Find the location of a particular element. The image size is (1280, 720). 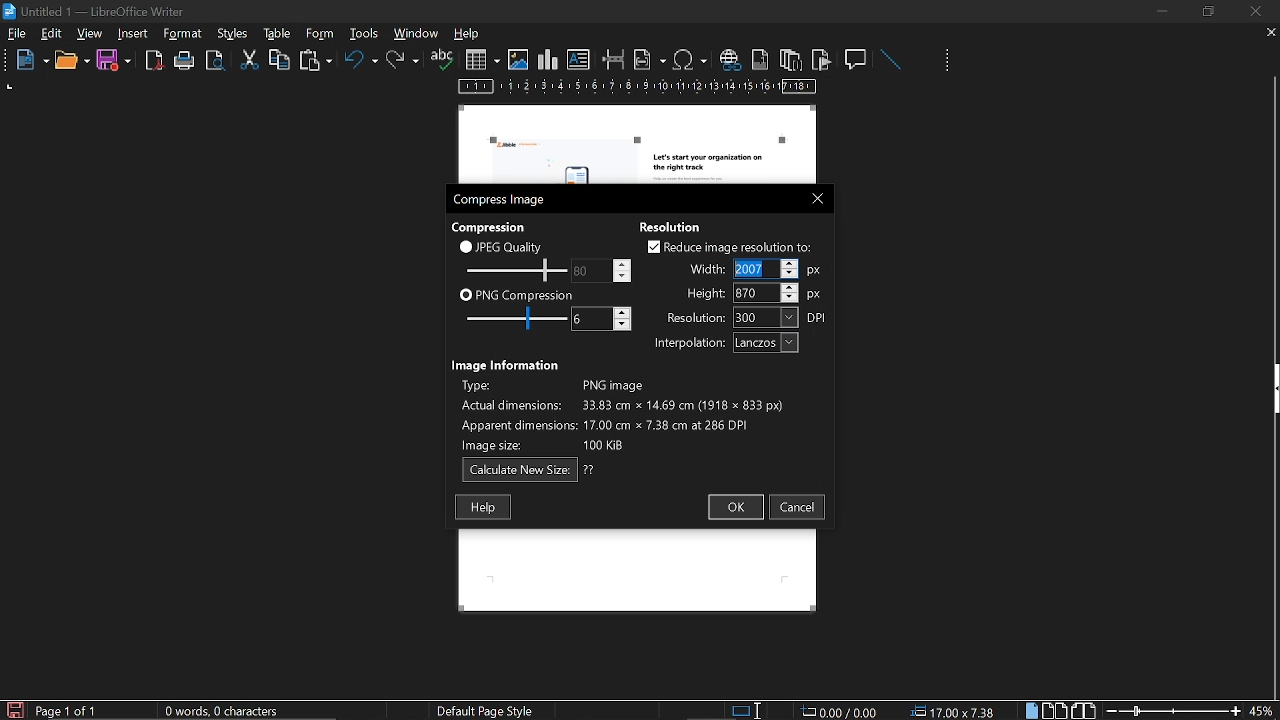

insert symbol is located at coordinates (690, 59).